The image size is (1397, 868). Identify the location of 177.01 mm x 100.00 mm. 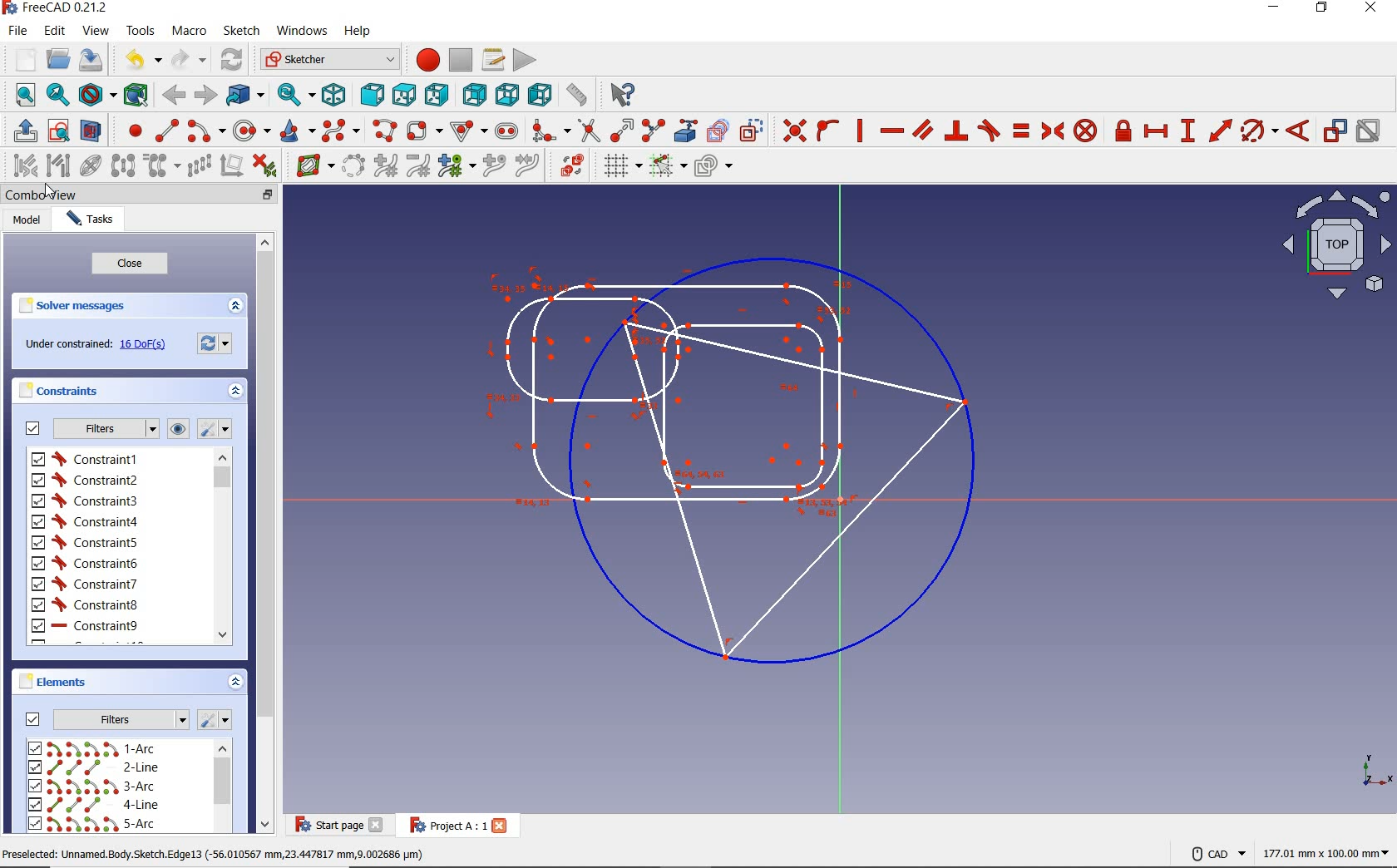
(1325, 855).